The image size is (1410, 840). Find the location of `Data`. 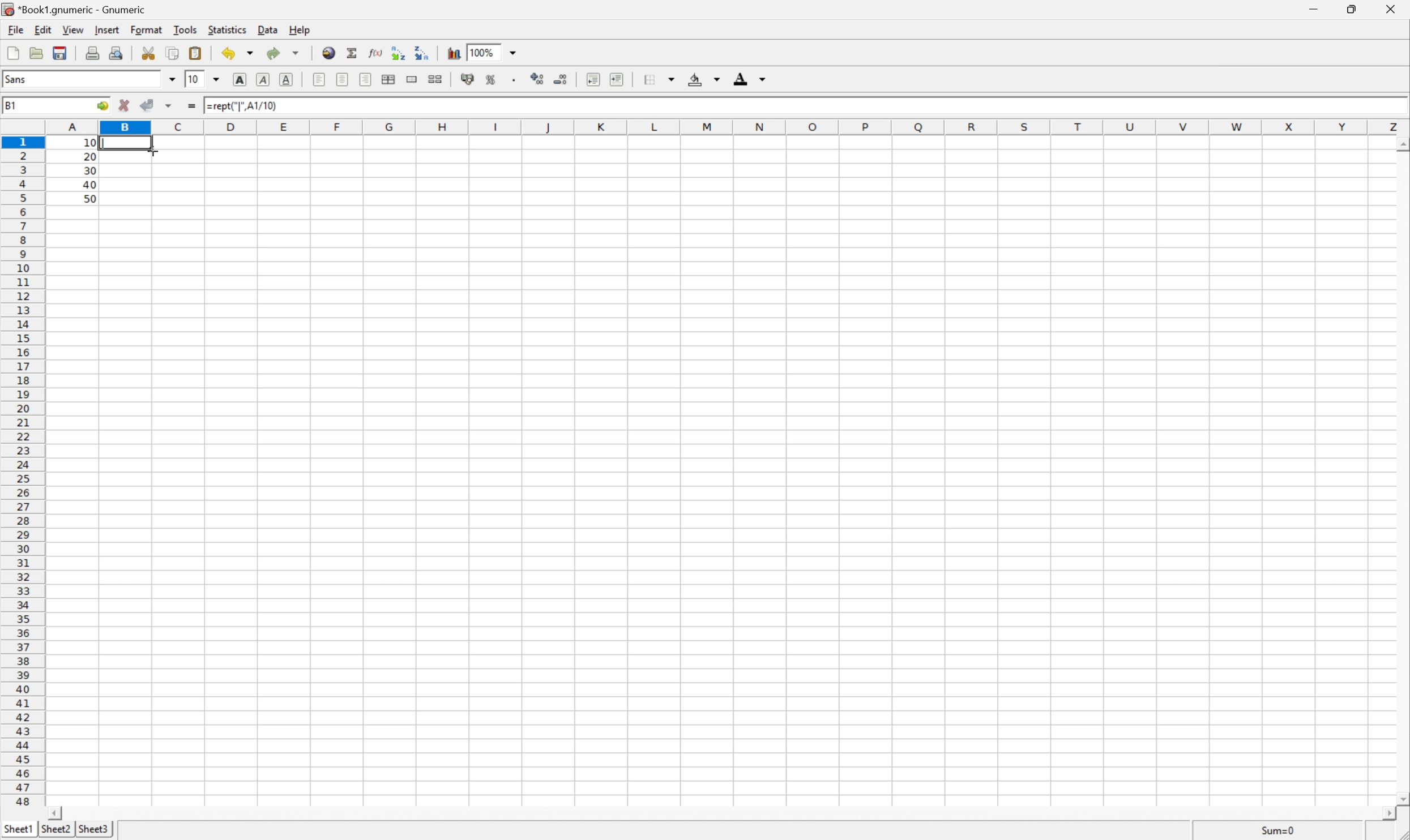

Data is located at coordinates (269, 30).